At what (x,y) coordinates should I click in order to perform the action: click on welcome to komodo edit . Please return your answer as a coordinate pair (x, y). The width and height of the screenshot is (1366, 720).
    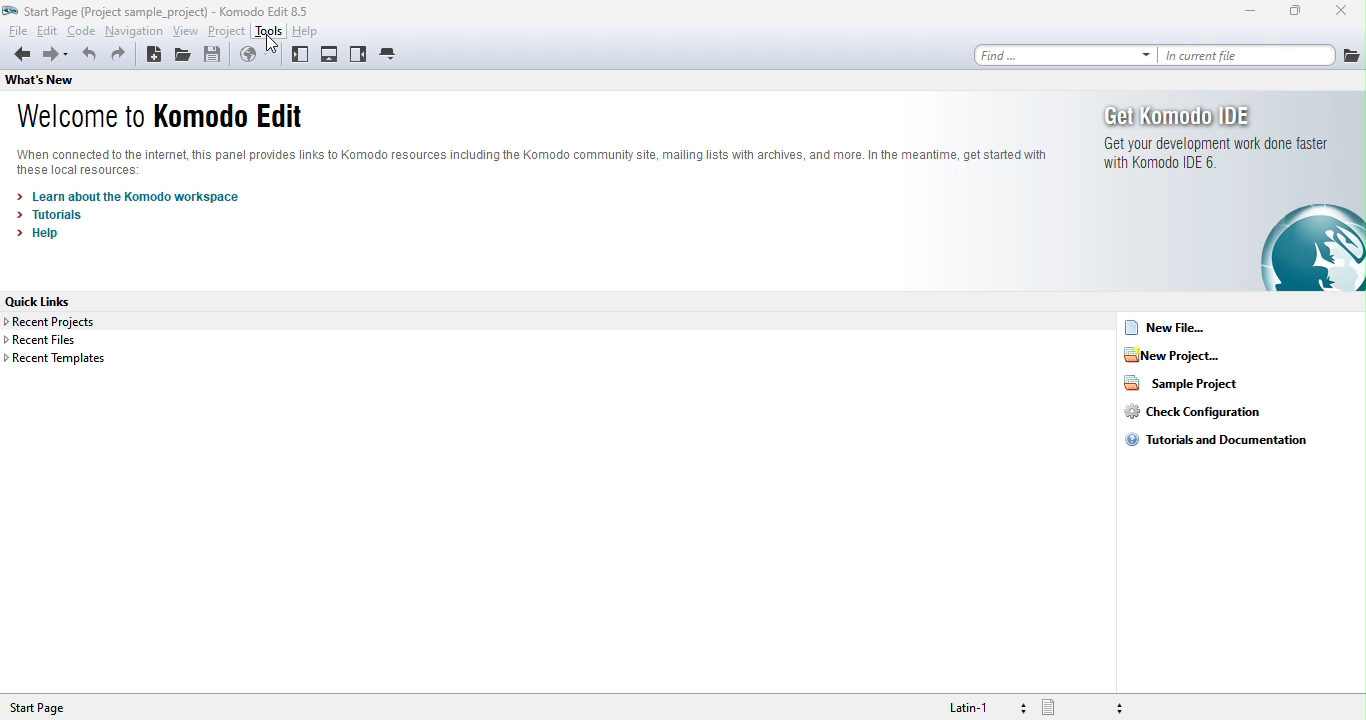
    Looking at the image, I should click on (176, 116).